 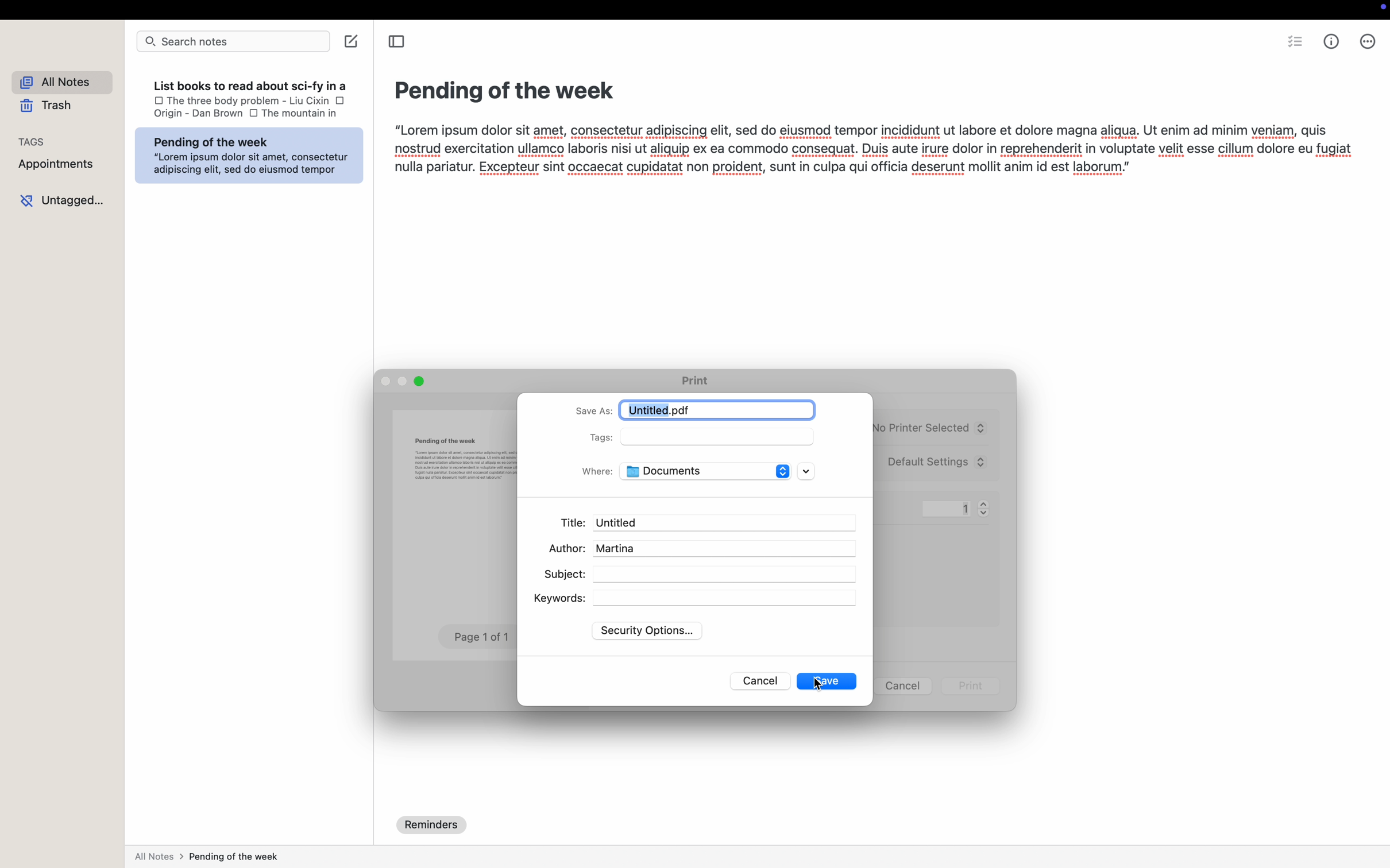 What do you see at coordinates (468, 634) in the screenshot?
I see `Page 1 0f 1` at bounding box center [468, 634].